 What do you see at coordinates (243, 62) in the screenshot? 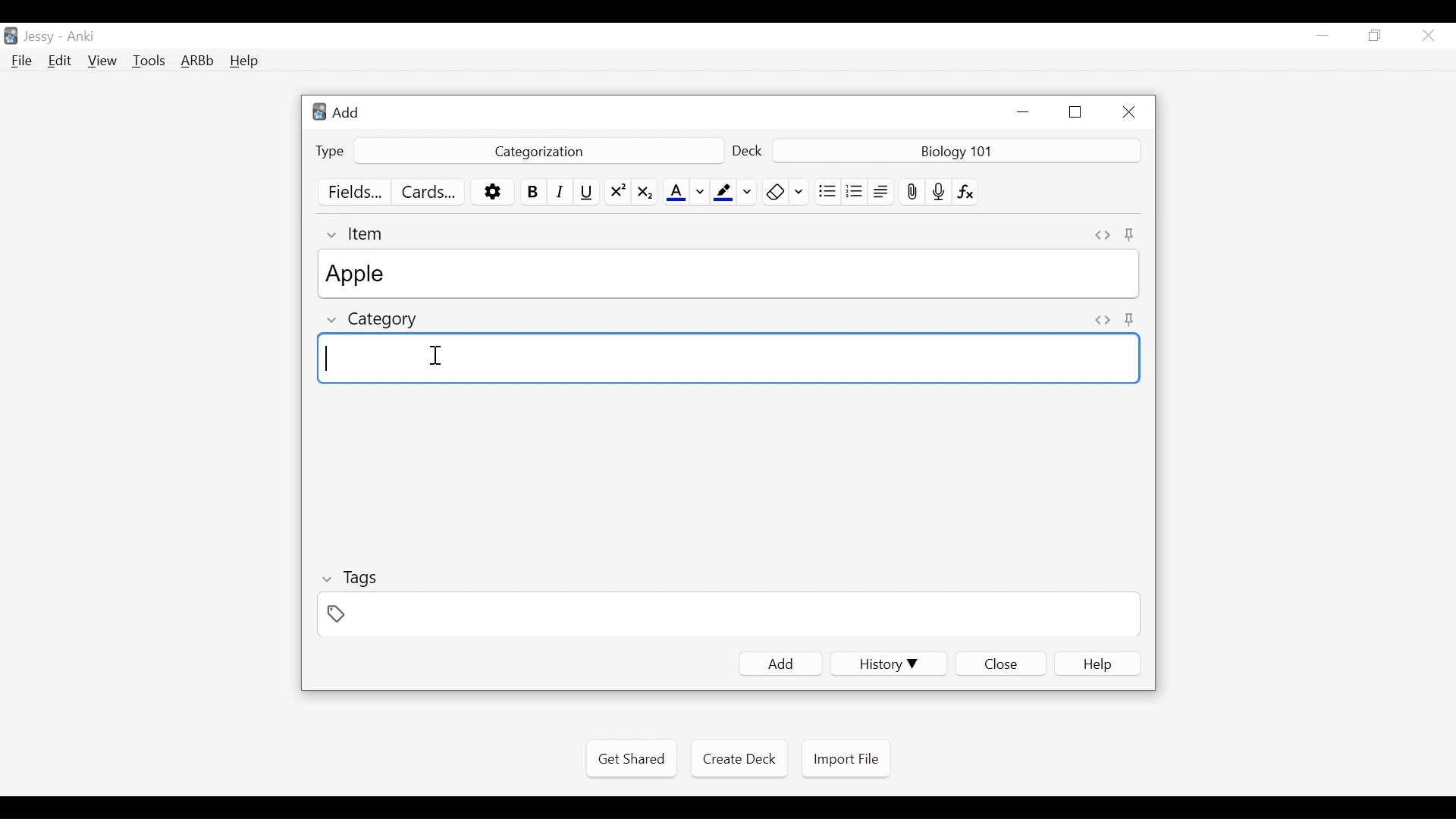
I see `Help` at bounding box center [243, 62].